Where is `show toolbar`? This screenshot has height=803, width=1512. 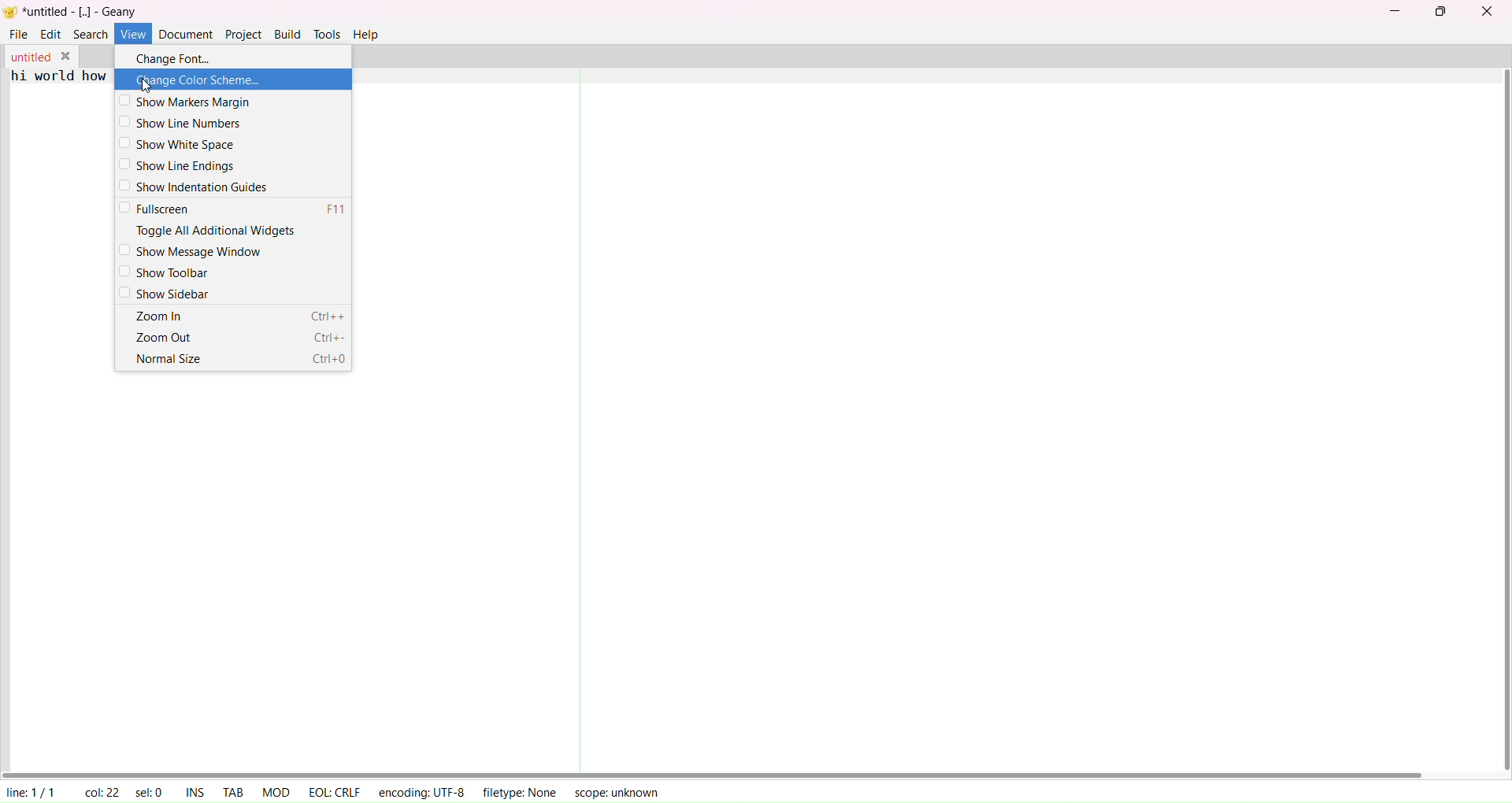
show toolbar is located at coordinates (165, 272).